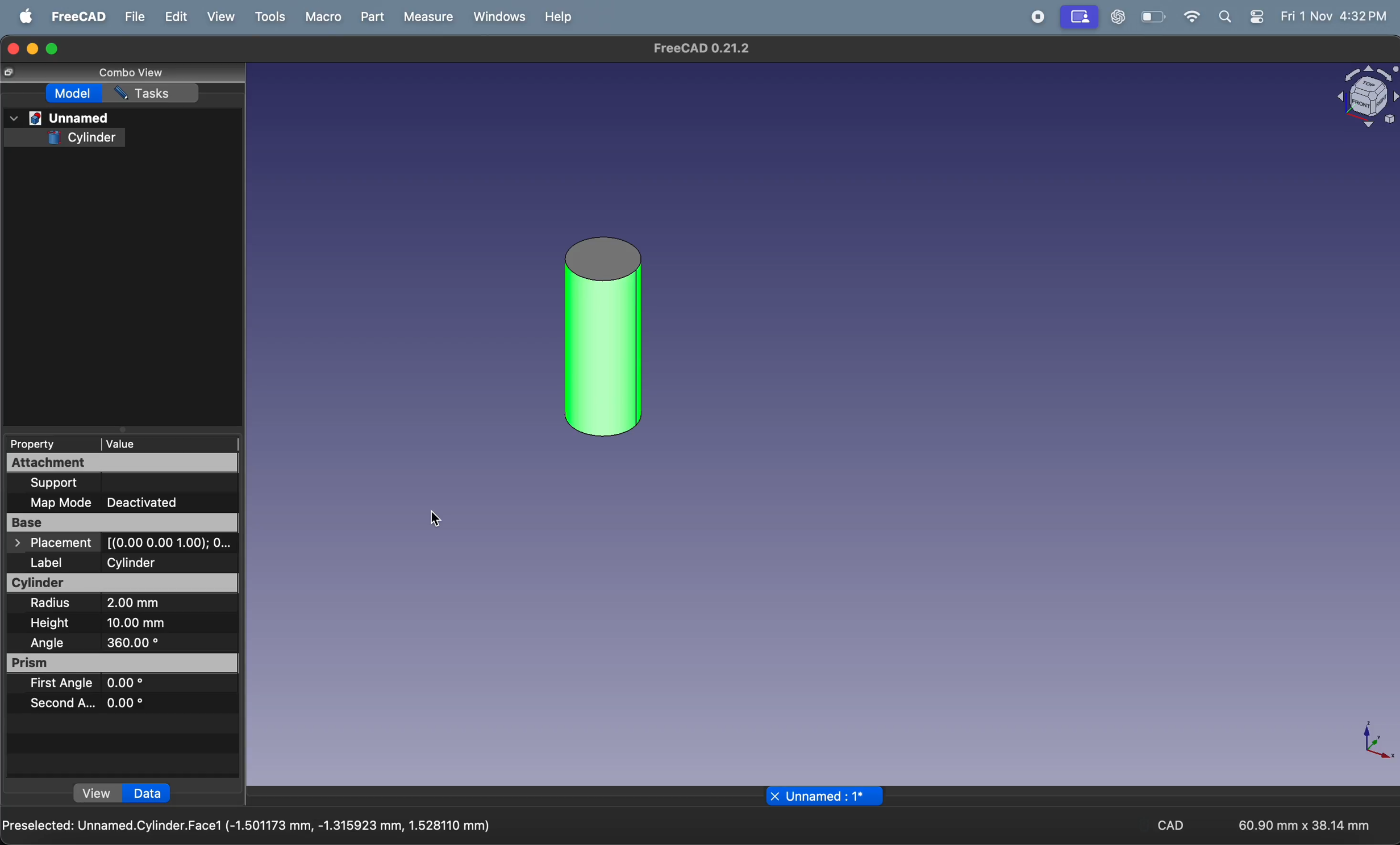 The image size is (1400, 845). Describe the element at coordinates (435, 520) in the screenshot. I see `cursor` at that location.